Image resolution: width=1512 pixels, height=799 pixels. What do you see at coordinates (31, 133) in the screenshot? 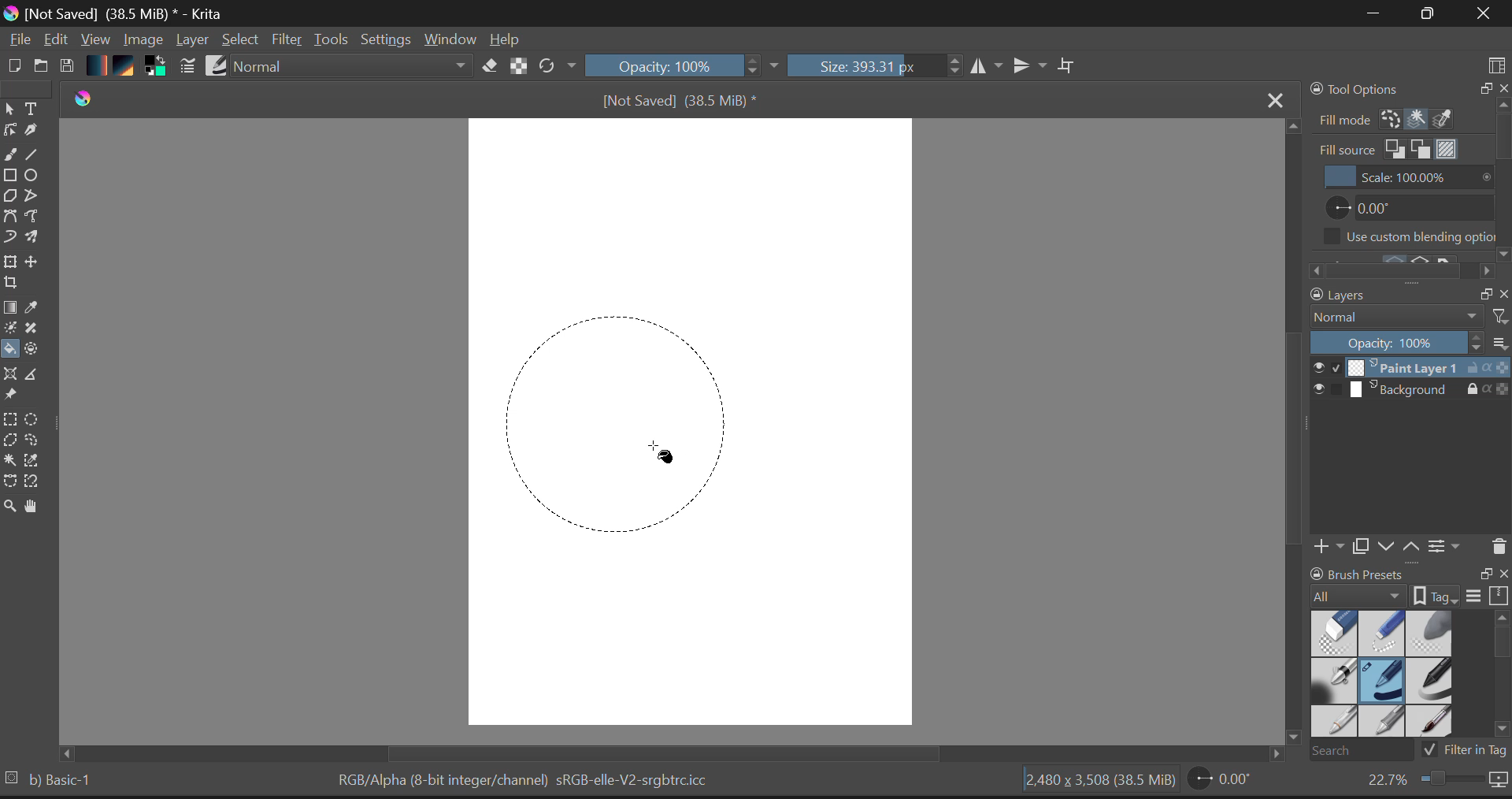
I see `Calligraphic Tool` at bounding box center [31, 133].